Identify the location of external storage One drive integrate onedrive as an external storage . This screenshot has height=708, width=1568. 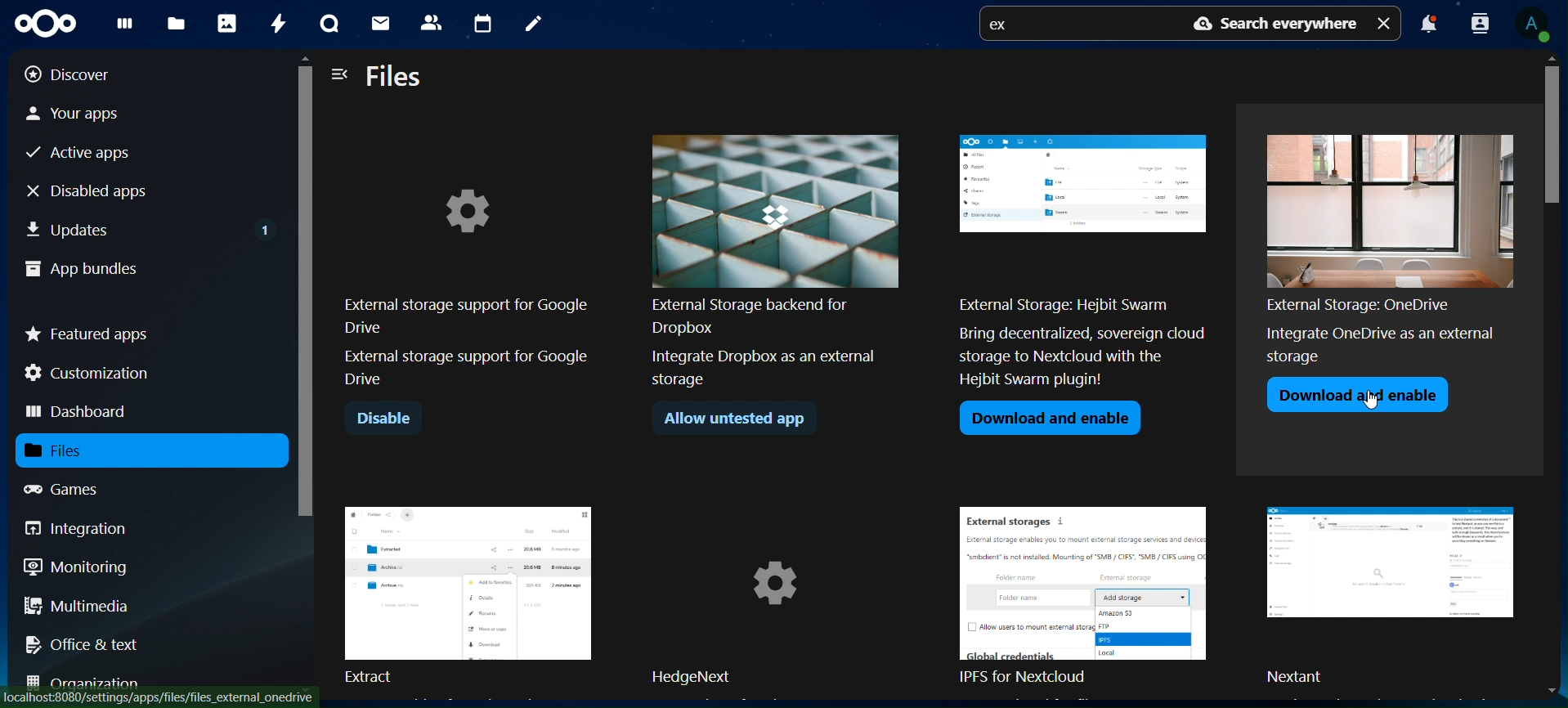
(1384, 242).